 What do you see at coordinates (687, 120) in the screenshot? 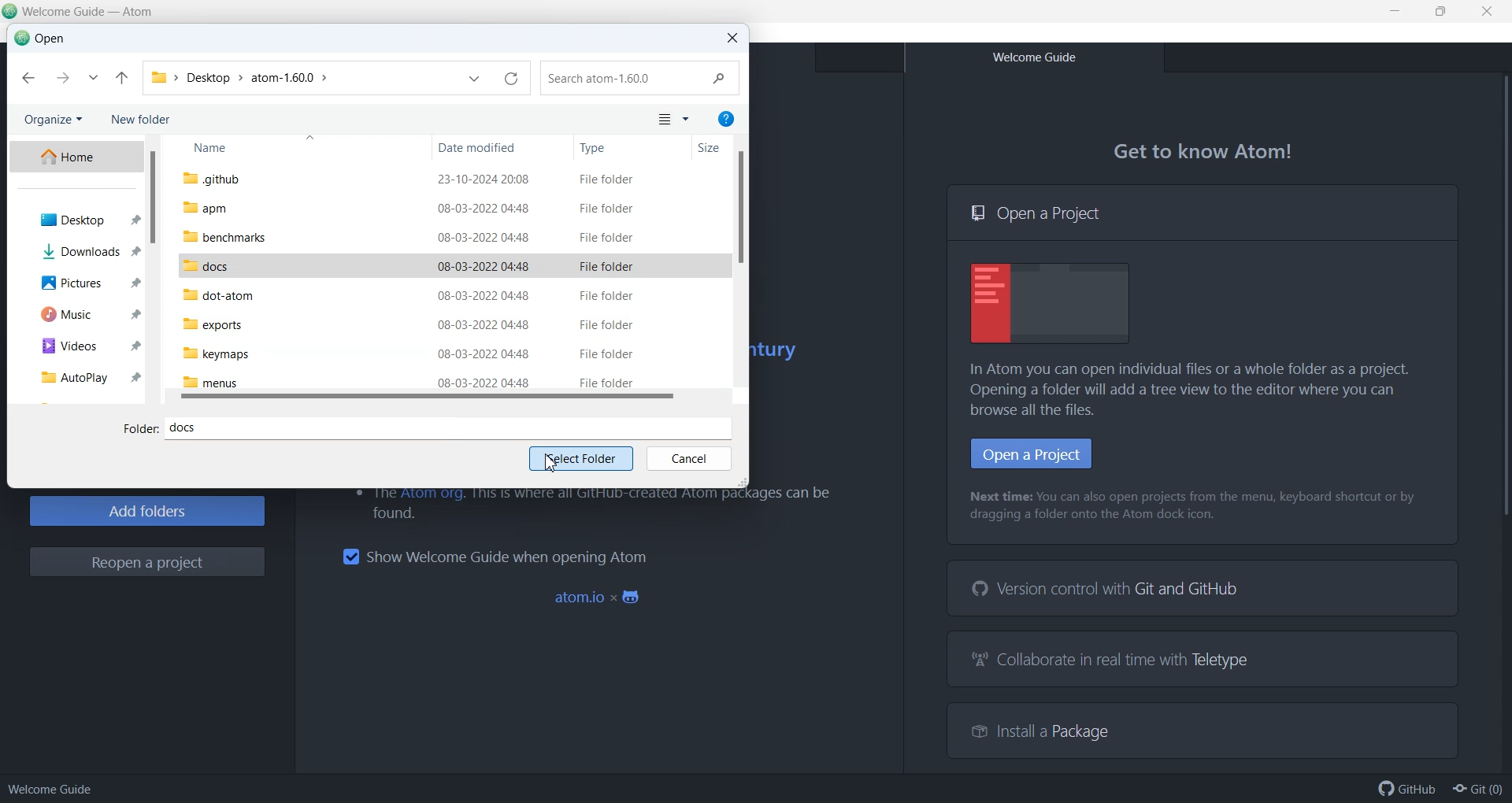
I see `More Options` at bounding box center [687, 120].